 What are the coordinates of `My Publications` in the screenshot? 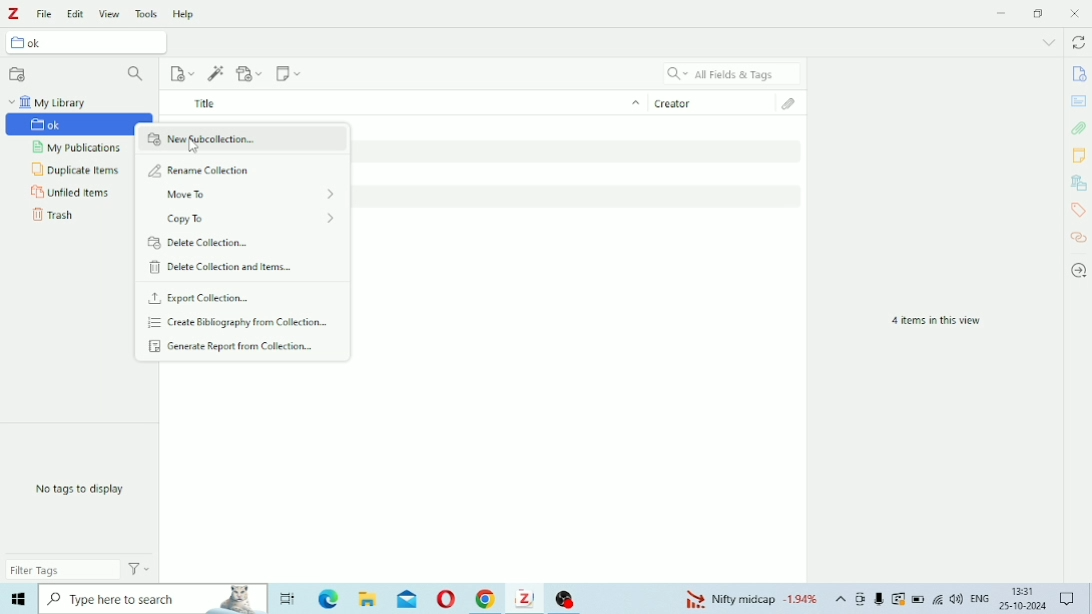 It's located at (80, 148).